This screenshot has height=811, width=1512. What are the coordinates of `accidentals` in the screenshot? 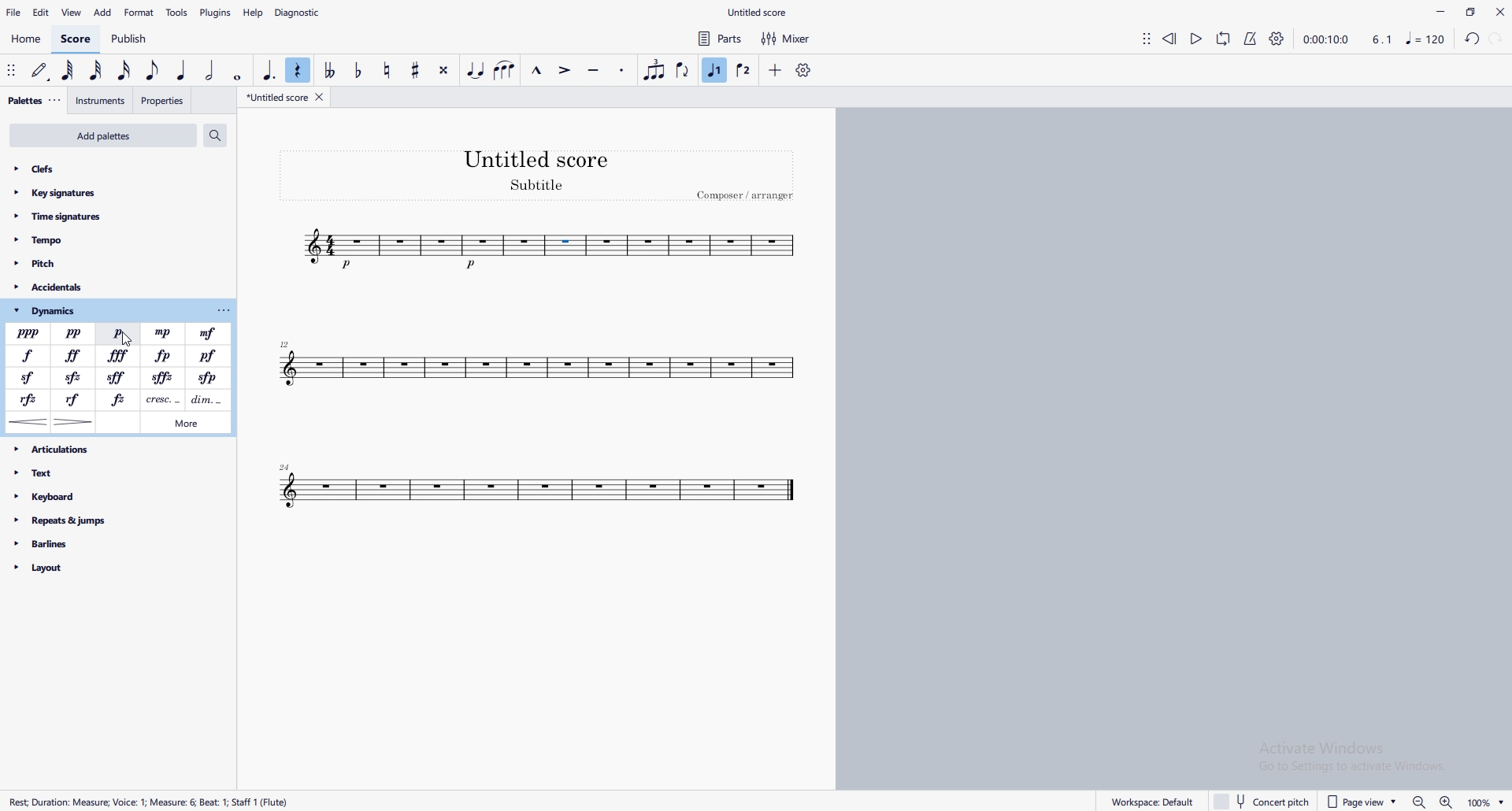 It's located at (90, 289).